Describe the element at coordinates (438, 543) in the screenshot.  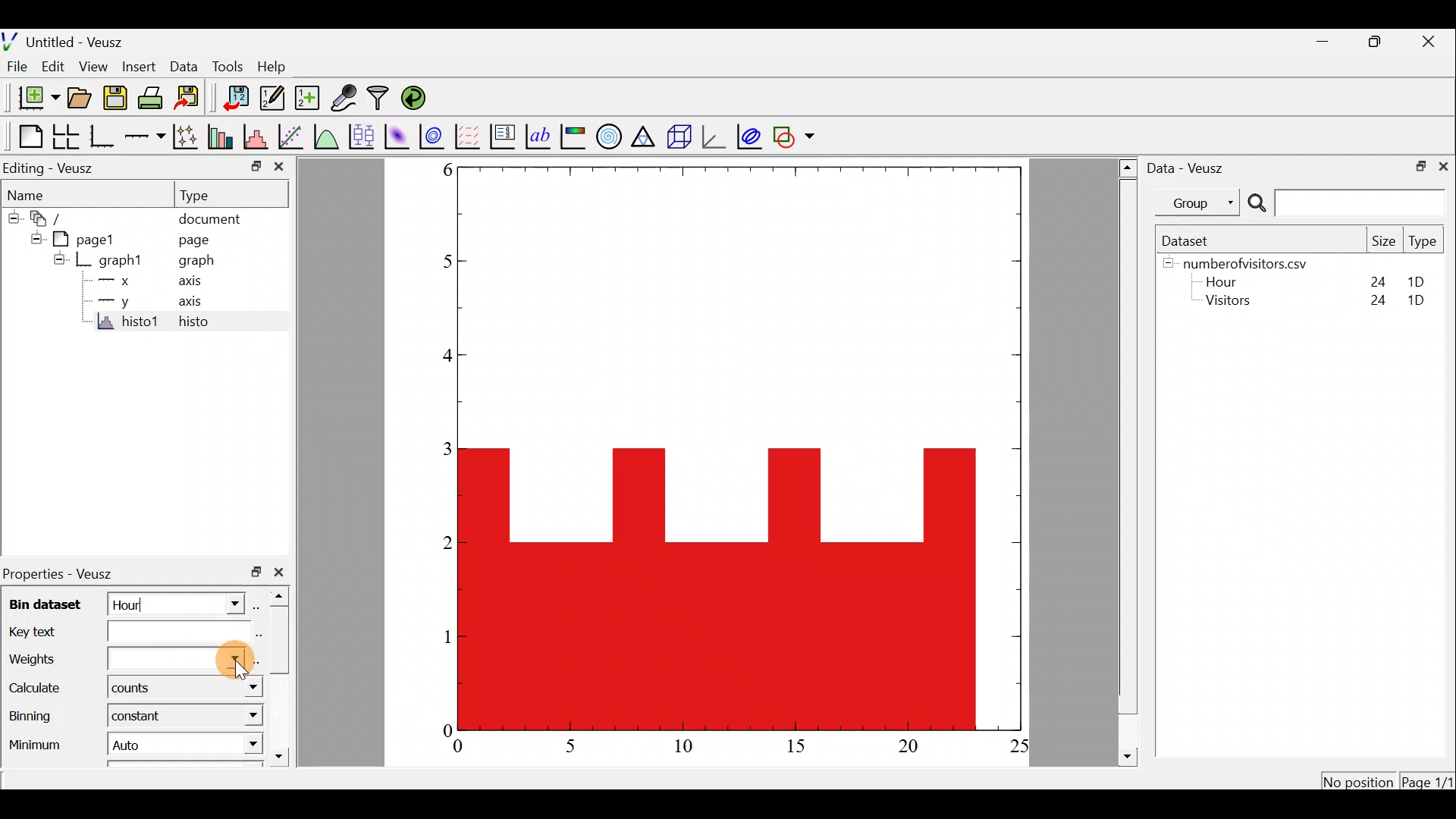
I see `2` at that location.